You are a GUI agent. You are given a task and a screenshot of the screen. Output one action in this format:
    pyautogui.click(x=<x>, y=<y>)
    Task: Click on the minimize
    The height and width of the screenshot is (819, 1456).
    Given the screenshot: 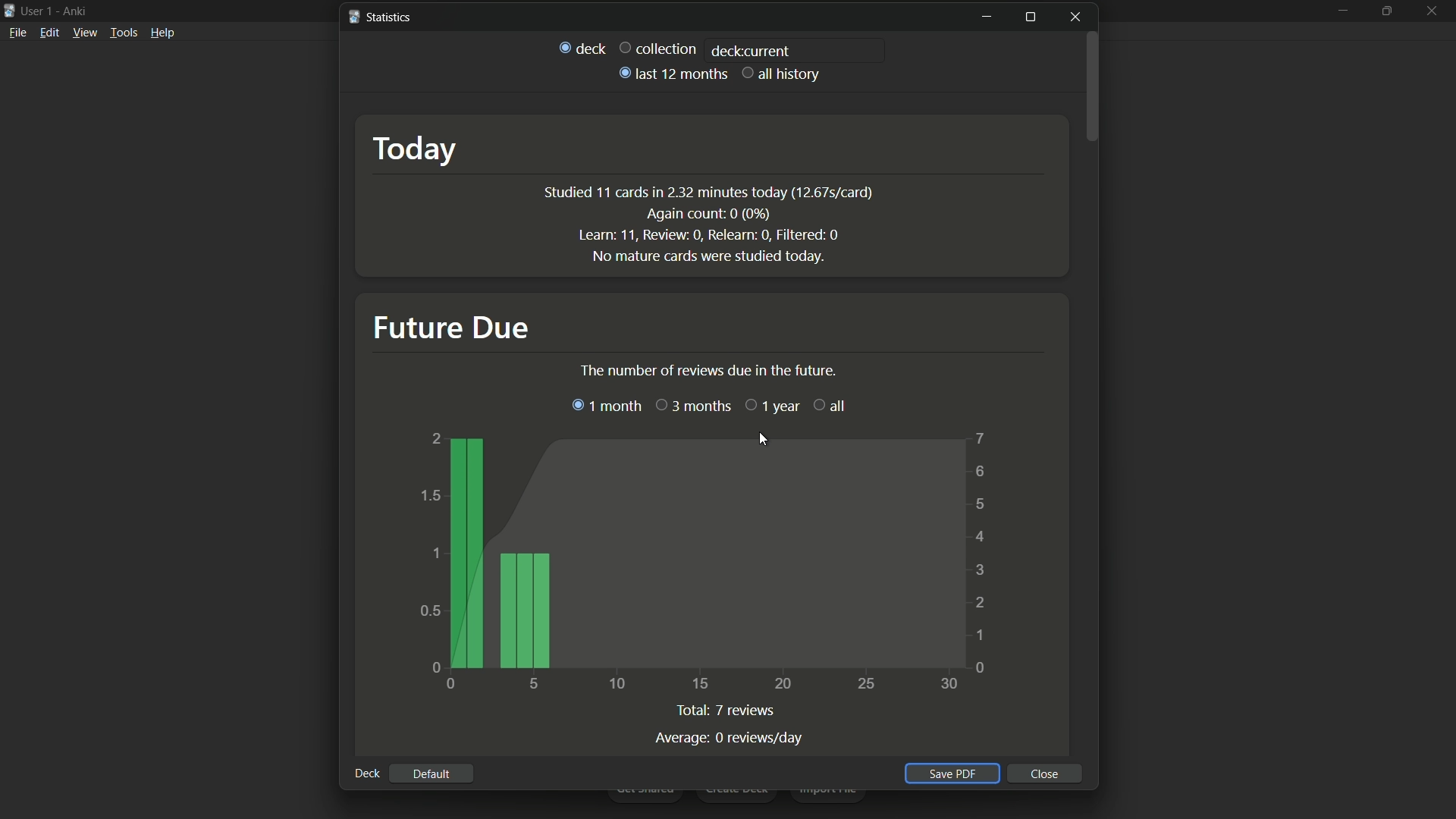 What is the action you would take?
    pyautogui.click(x=986, y=17)
    